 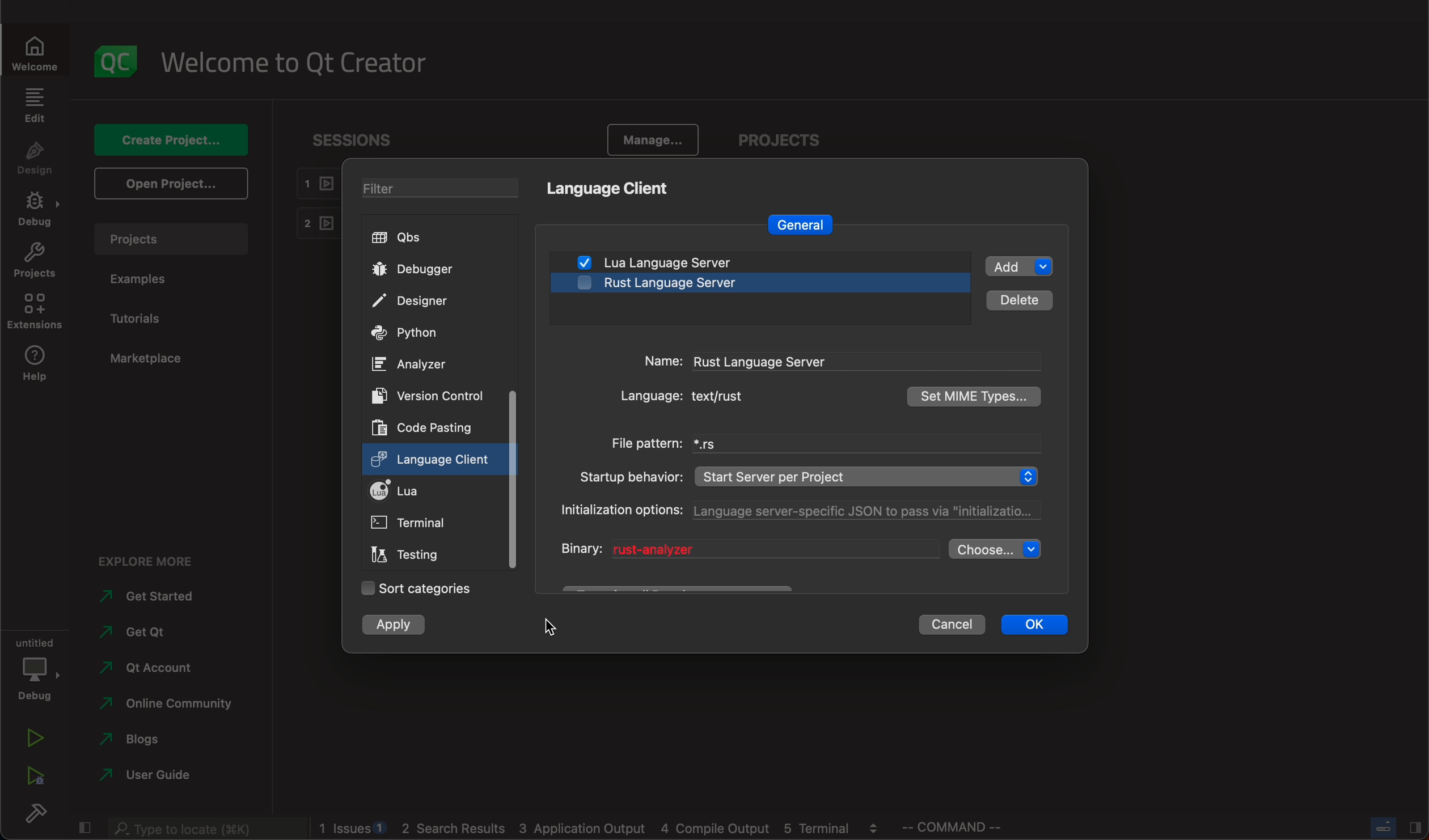 I want to click on general, so click(x=807, y=222).